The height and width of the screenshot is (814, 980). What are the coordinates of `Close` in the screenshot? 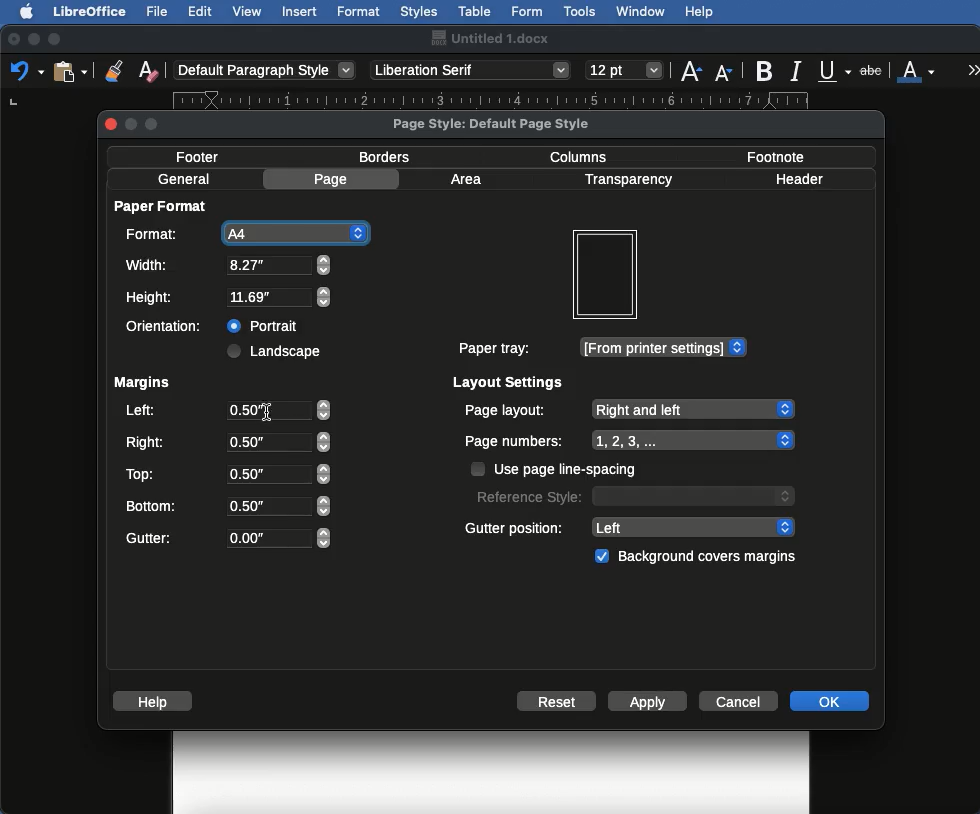 It's located at (14, 40).